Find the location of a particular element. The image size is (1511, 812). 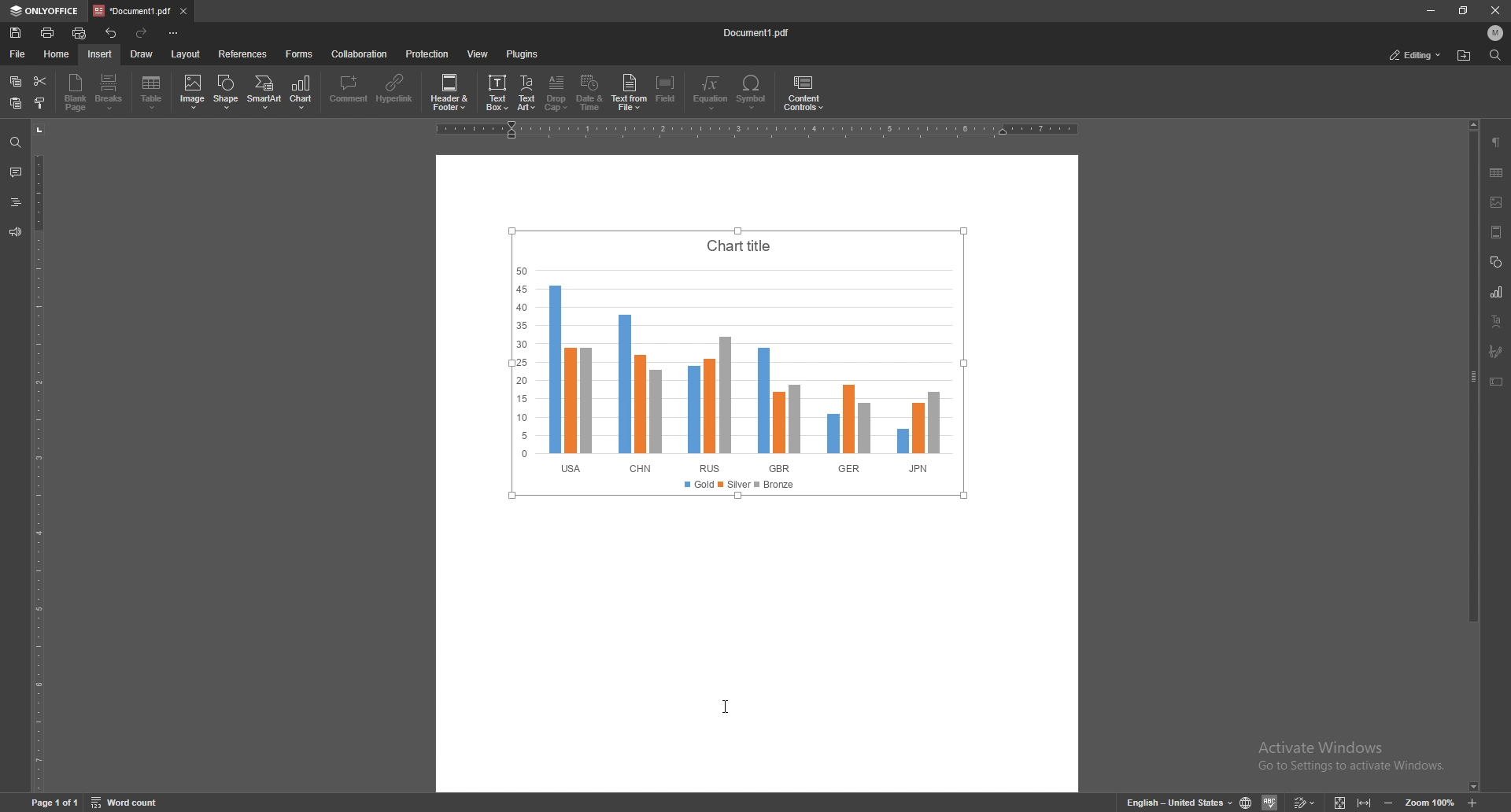

save is located at coordinates (16, 32).